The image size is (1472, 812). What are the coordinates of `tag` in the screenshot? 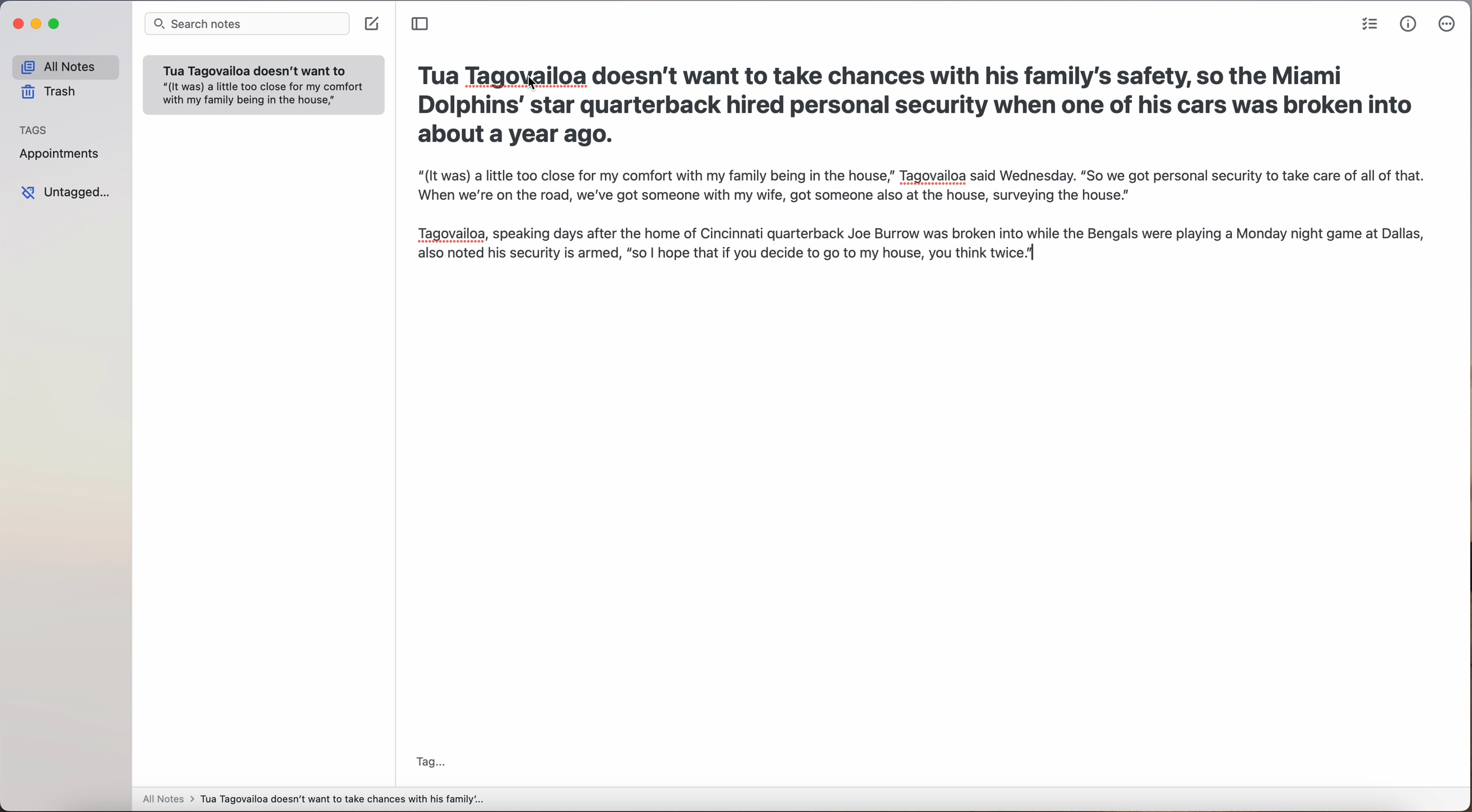 It's located at (433, 760).